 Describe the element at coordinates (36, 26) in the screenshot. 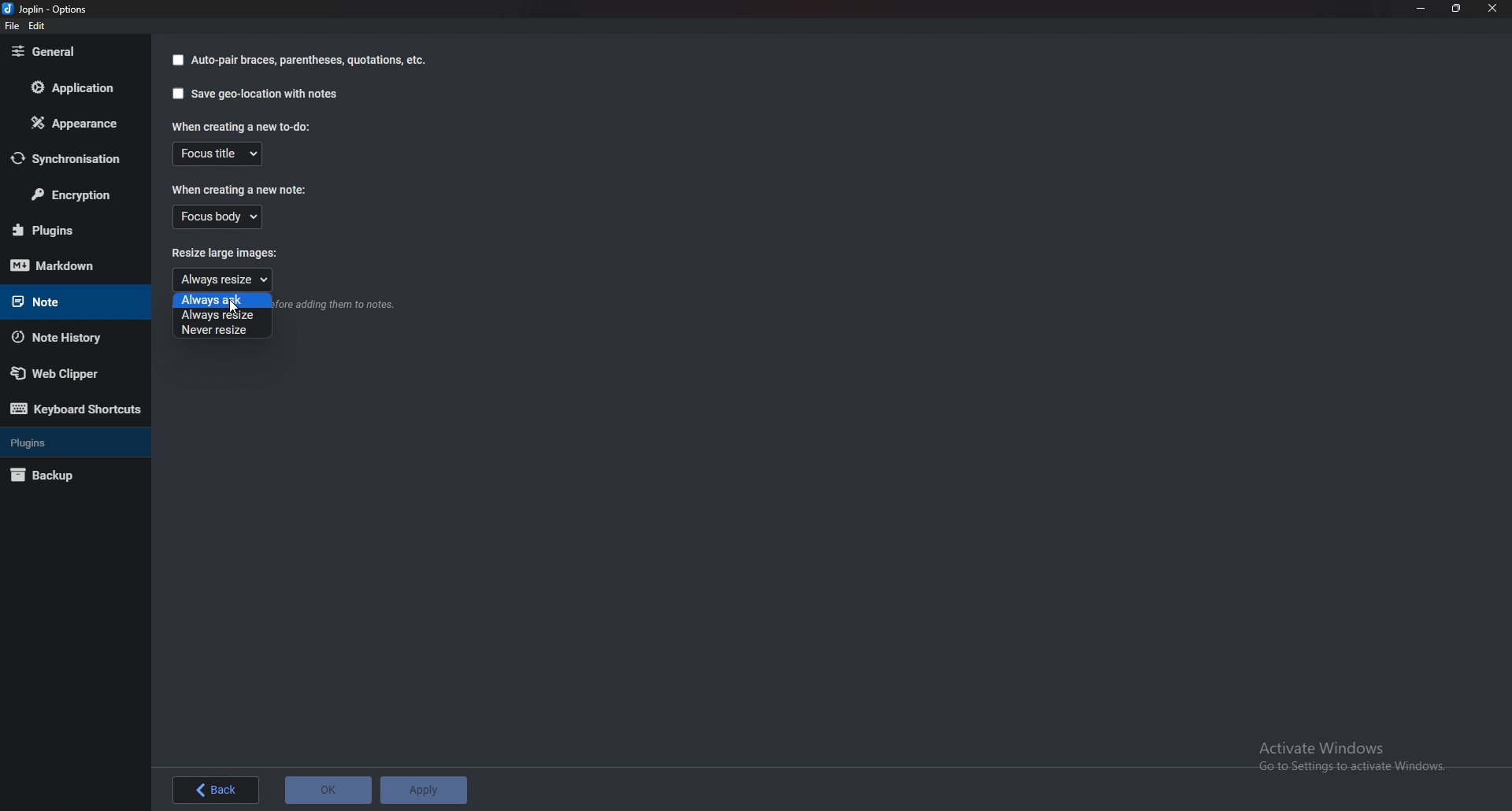

I see `edit` at that location.